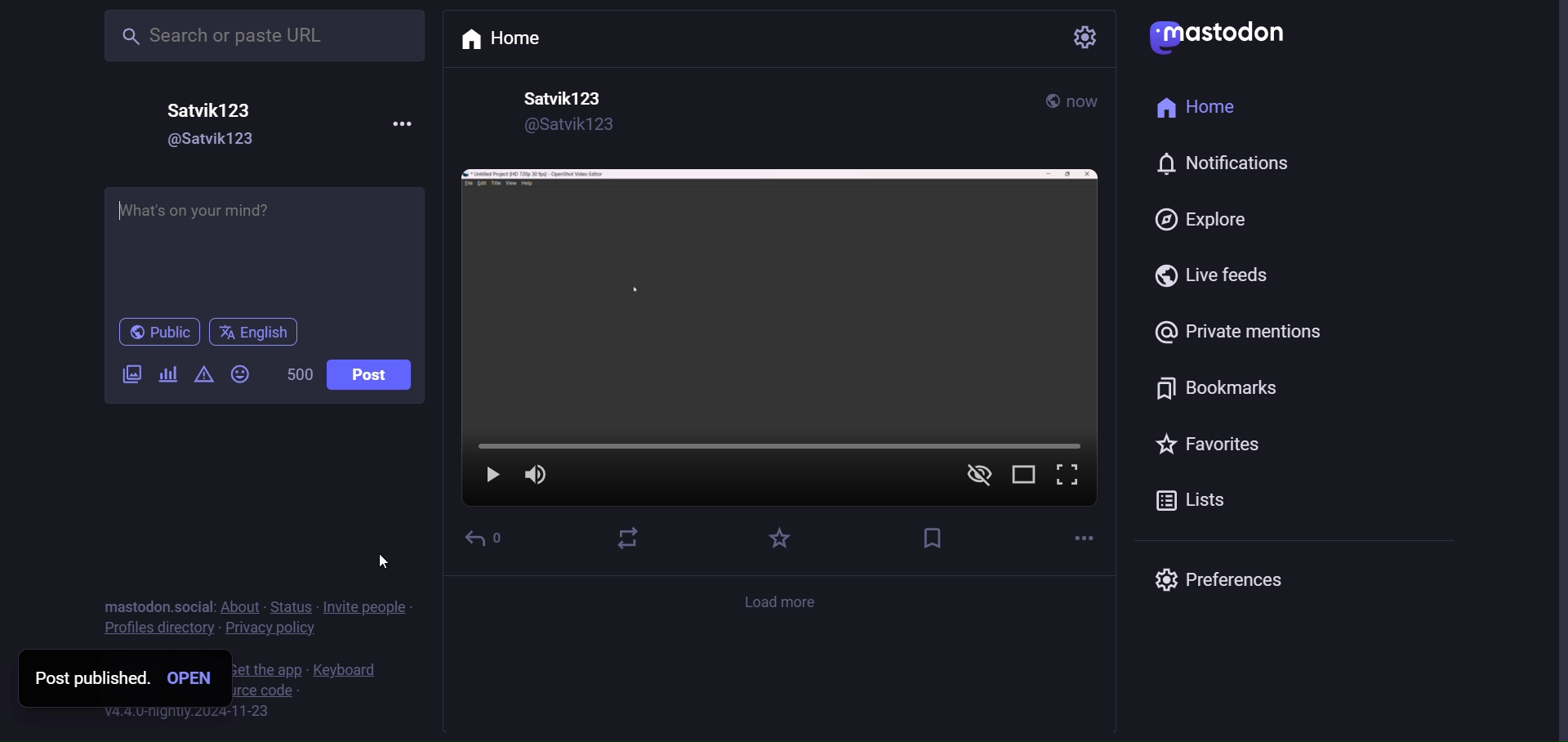  I want to click on invite people, so click(366, 608).